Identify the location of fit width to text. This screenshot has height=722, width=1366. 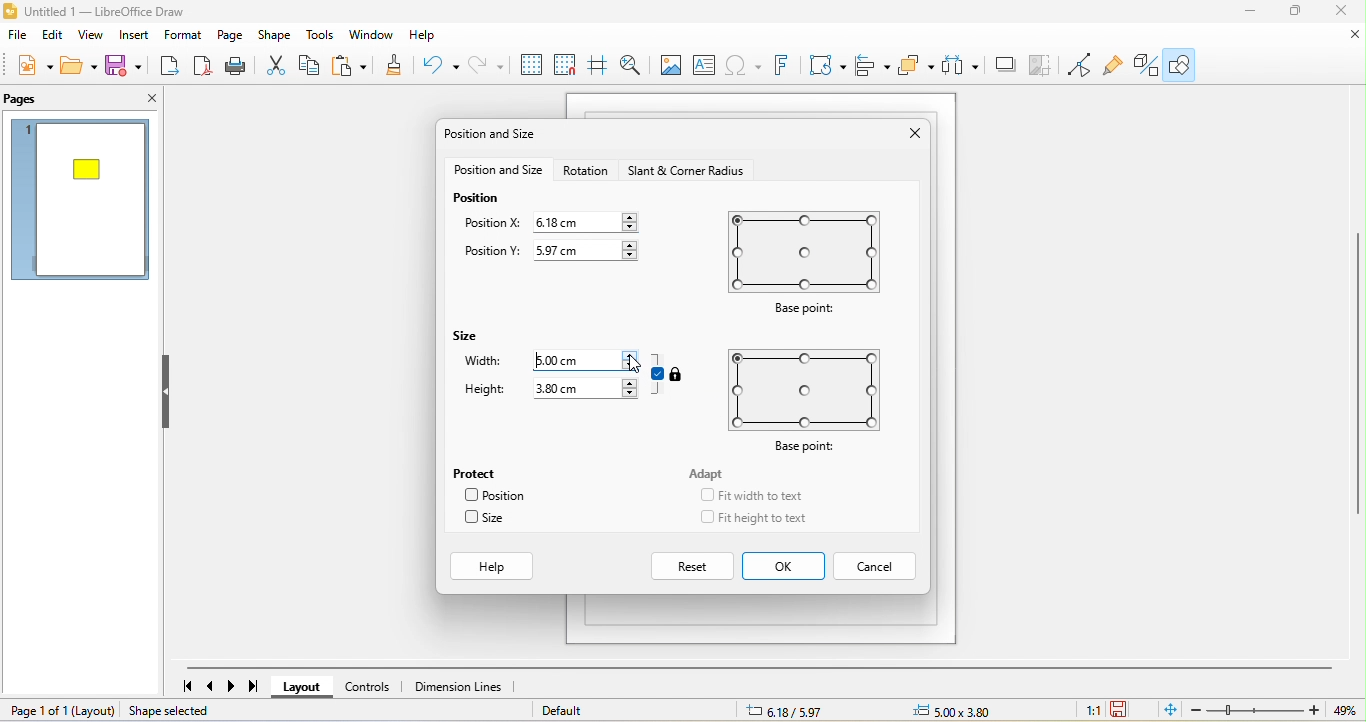
(753, 496).